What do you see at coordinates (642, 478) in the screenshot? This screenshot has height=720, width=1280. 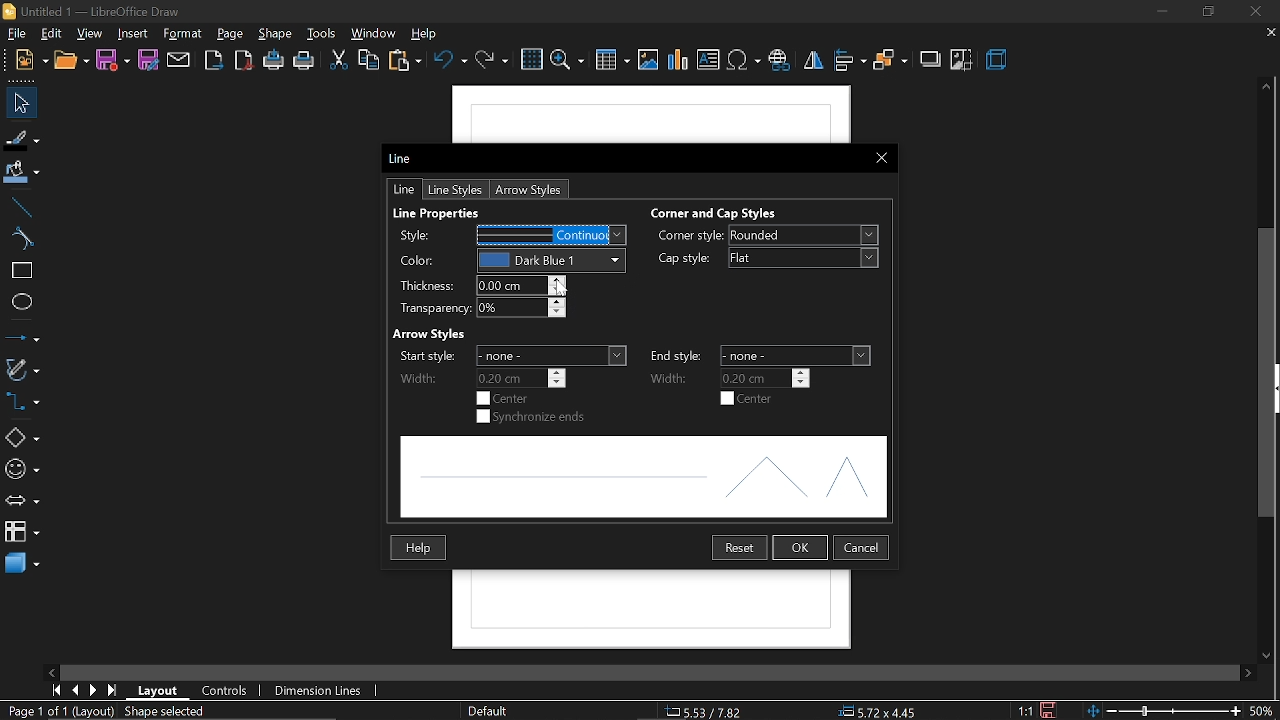 I see `preview` at bounding box center [642, 478].